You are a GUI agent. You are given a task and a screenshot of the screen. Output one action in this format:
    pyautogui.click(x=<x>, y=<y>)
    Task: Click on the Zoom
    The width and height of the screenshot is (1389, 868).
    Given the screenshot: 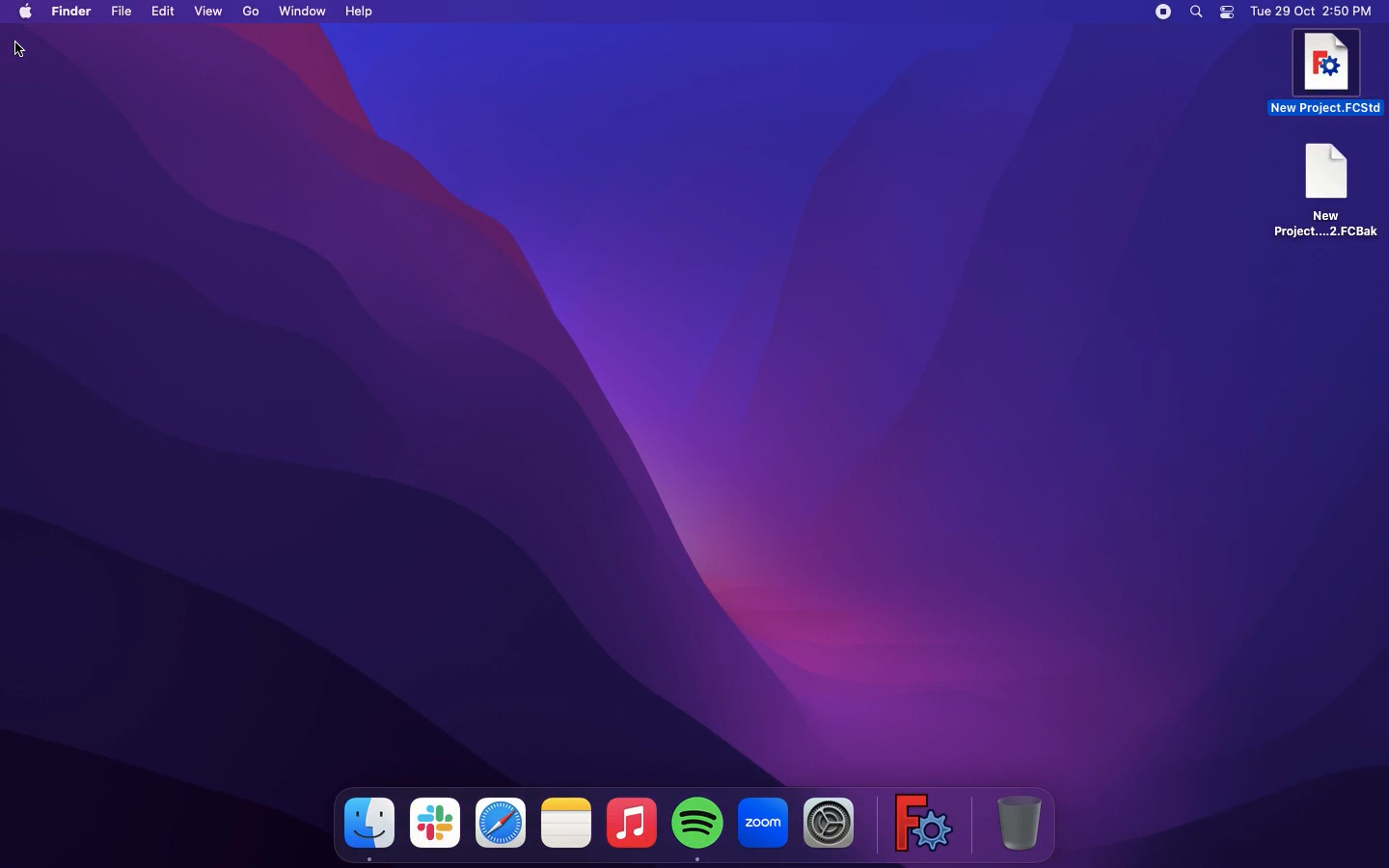 What is the action you would take?
    pyautogui.click(x=763, y=820)
    